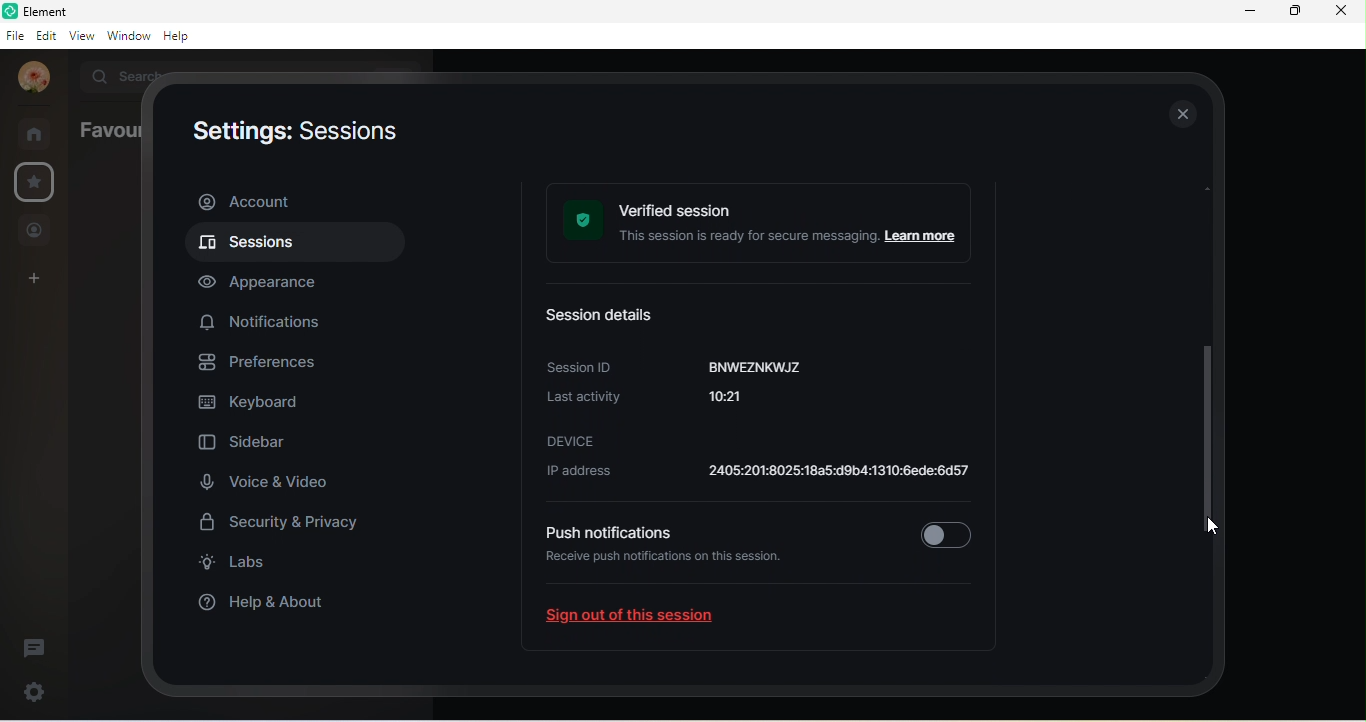  Describe the element at coordinates (269, 282) in the screenshot. I see `appearance` at that location.